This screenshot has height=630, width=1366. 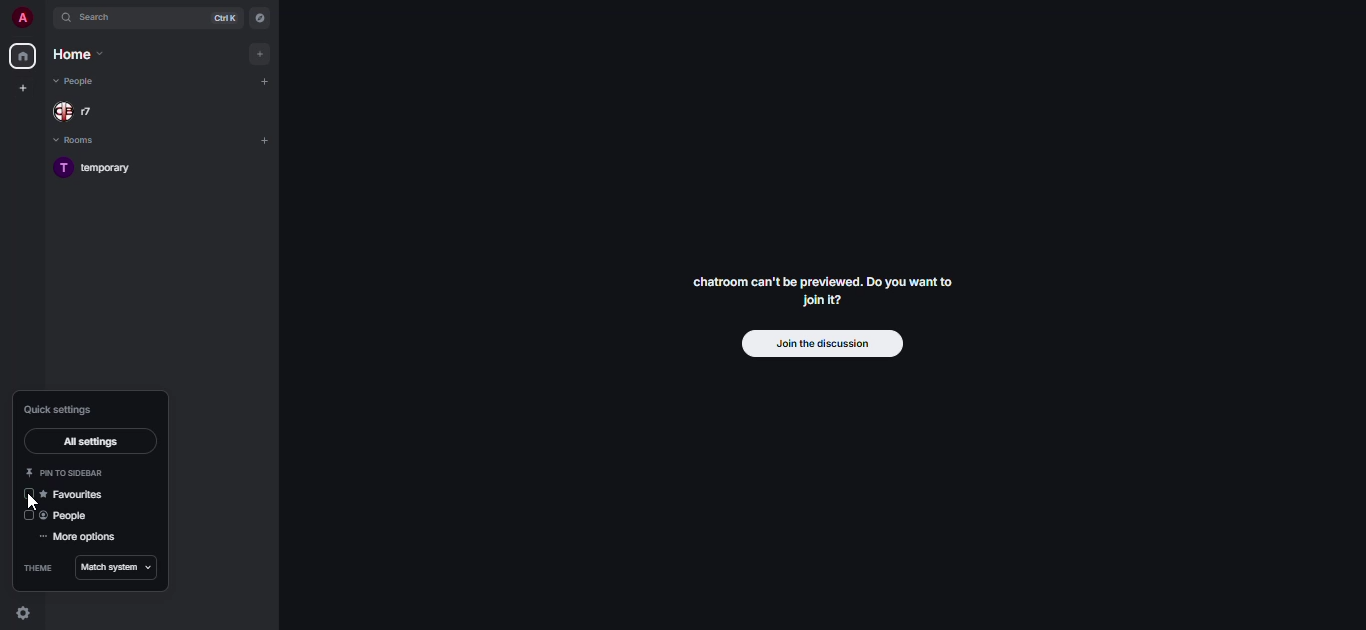 What do you see at coordinates (263, 18) in the screenshot?
I see `navigator` at bounding box center [263, 18].